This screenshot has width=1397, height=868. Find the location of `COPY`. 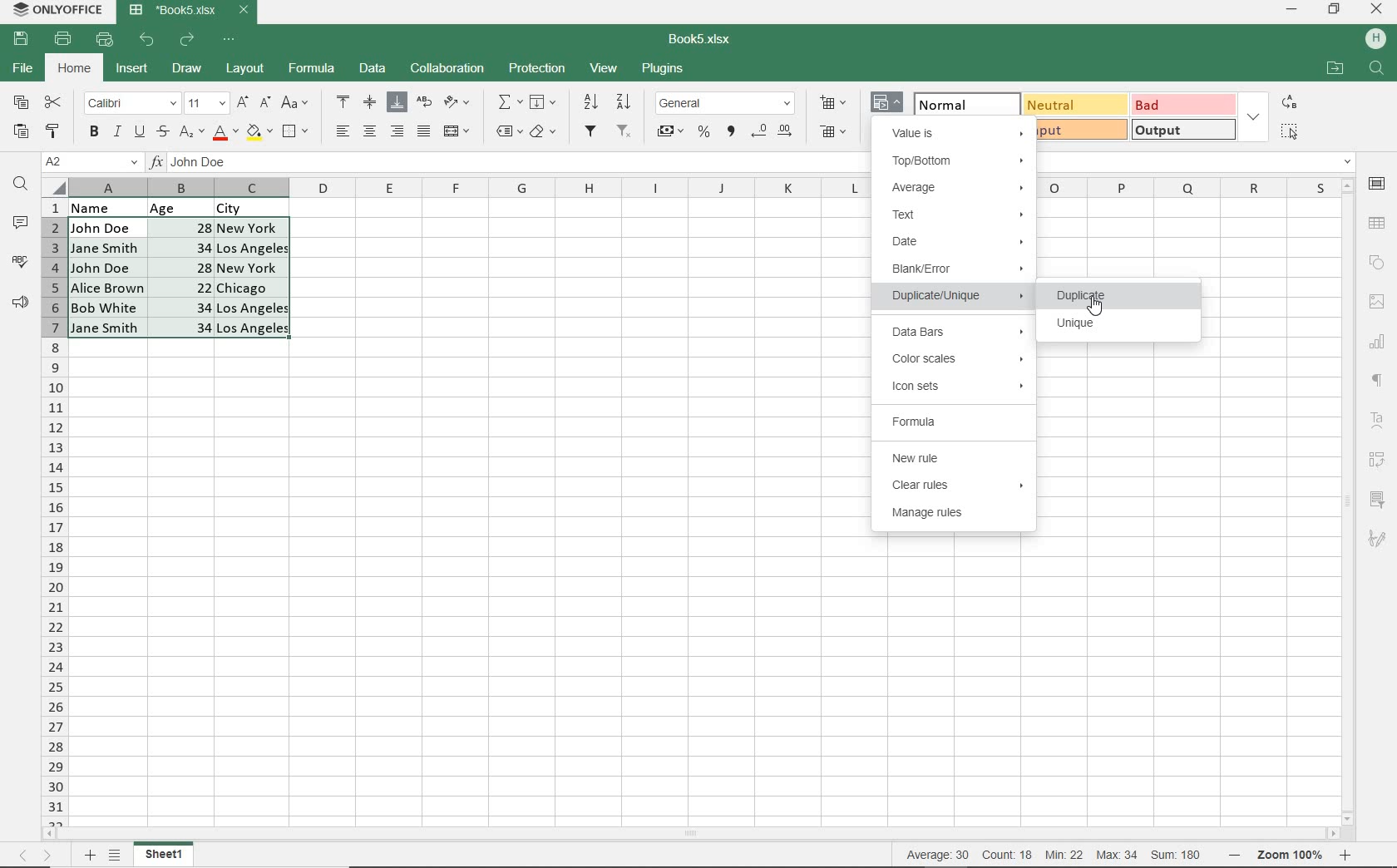

COPY is located at coordinates (22, 103).